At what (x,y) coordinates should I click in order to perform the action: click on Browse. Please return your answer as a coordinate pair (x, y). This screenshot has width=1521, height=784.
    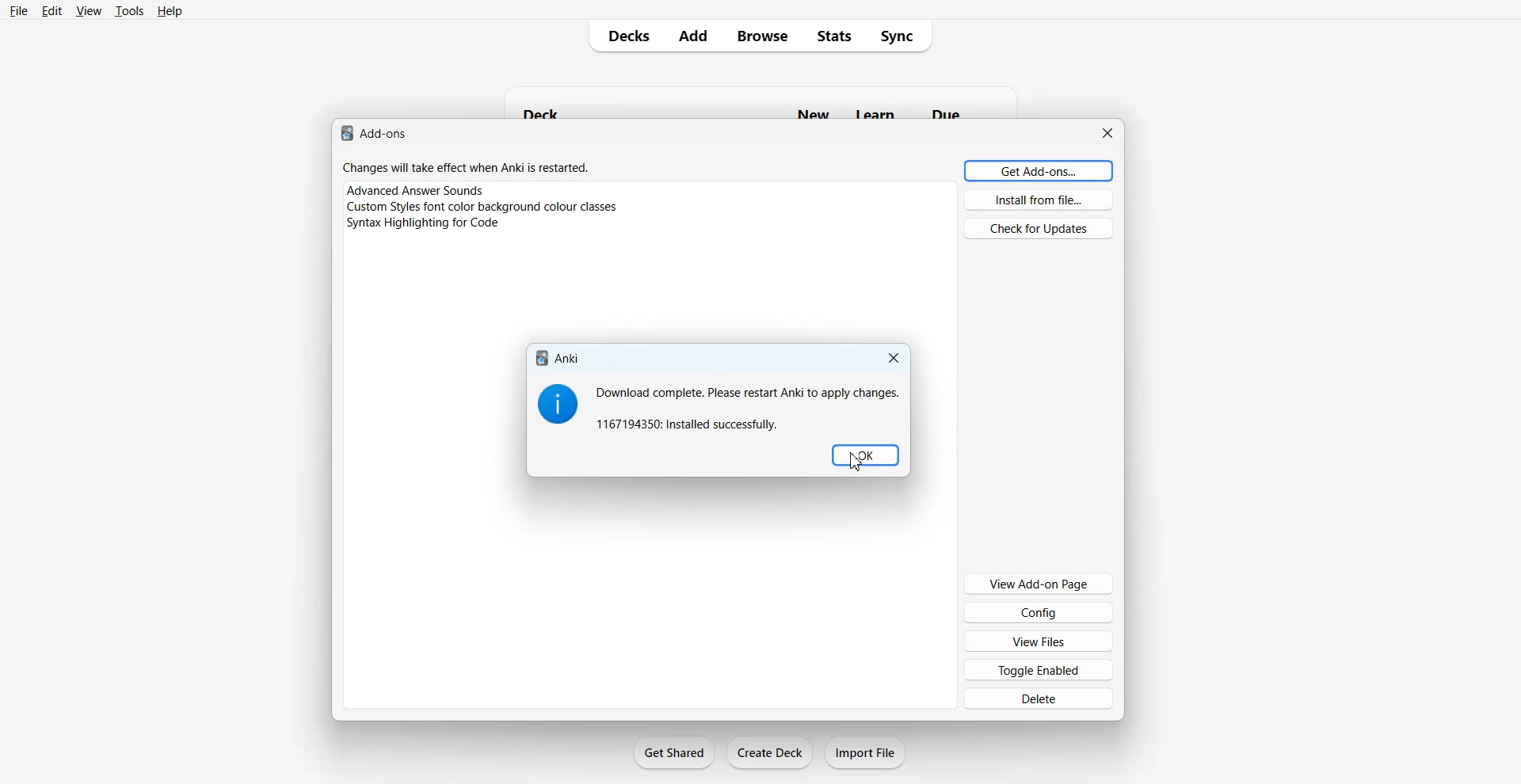
    Looking at the image, I should click on (763, 36).